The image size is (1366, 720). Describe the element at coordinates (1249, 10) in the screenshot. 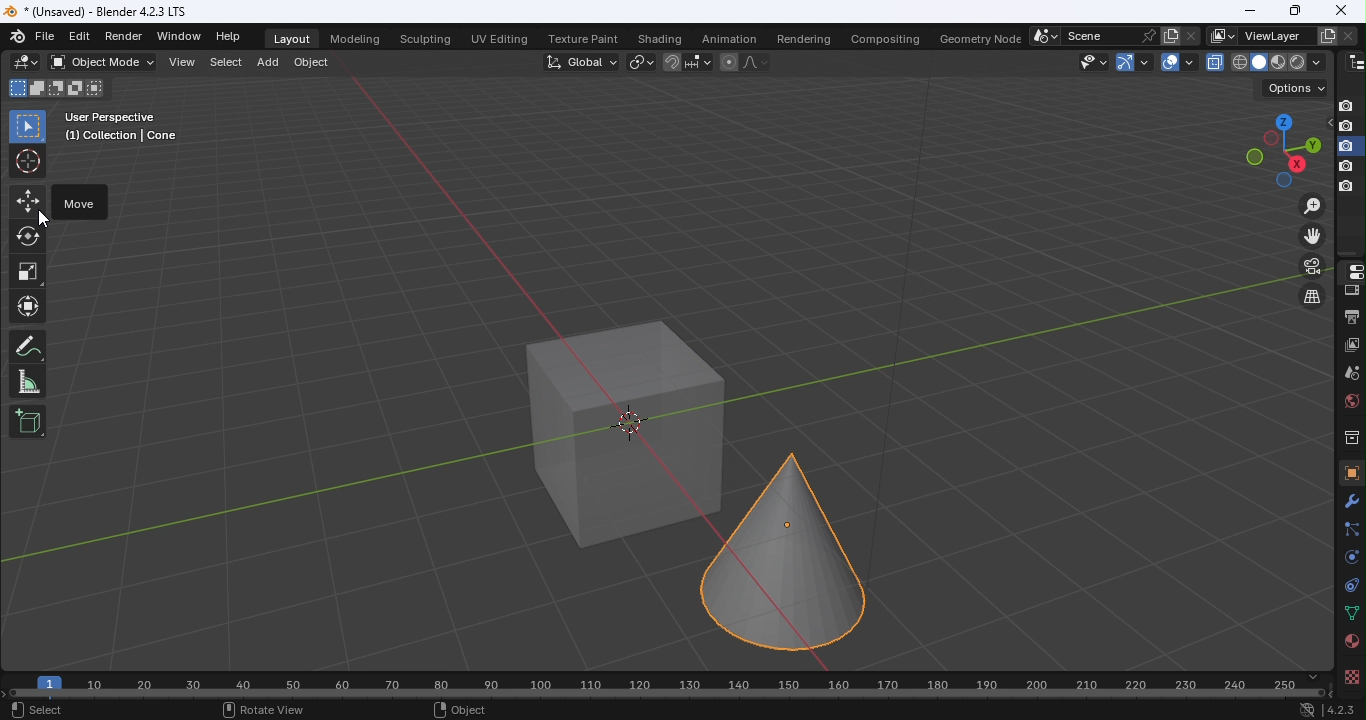

I see `Minimize` at that location.